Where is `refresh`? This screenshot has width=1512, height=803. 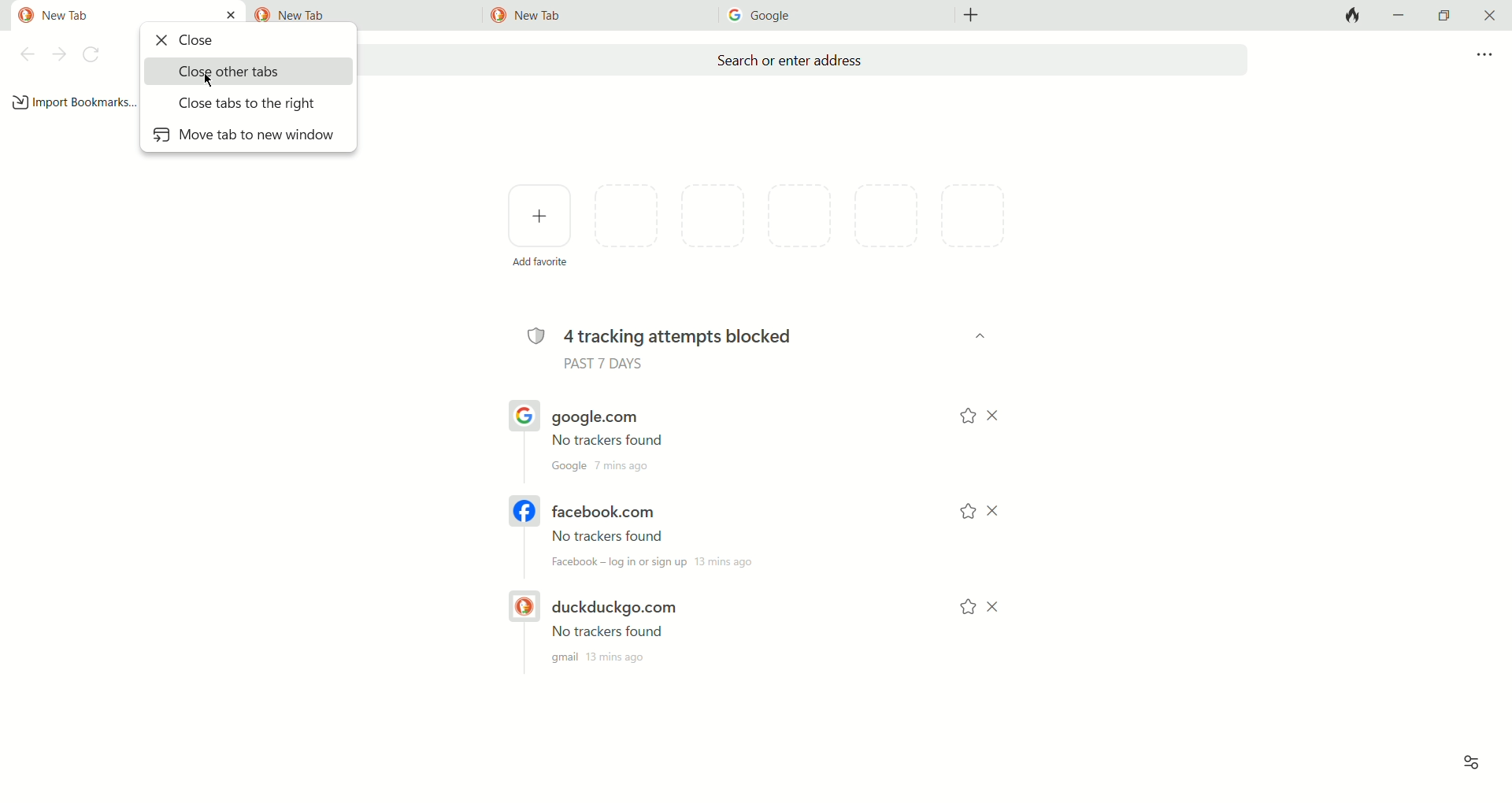 refresh is located at coordinates (93, 56).